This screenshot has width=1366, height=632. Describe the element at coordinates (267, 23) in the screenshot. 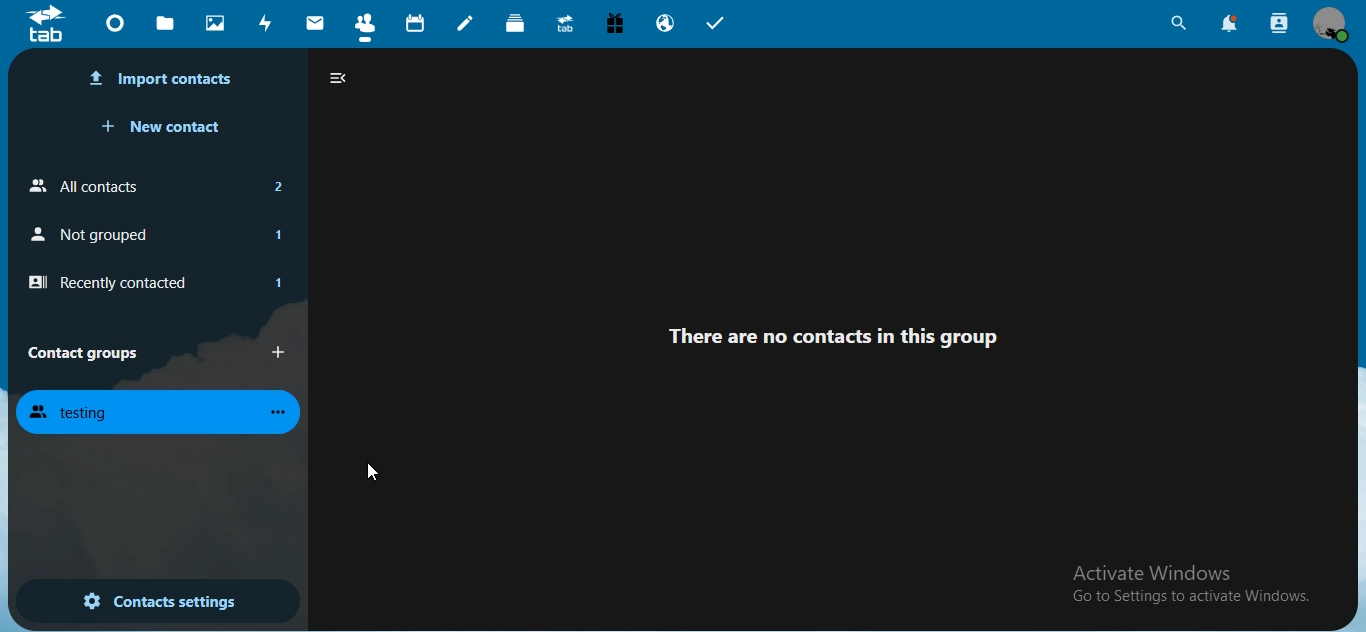

I see `activity` at that location.